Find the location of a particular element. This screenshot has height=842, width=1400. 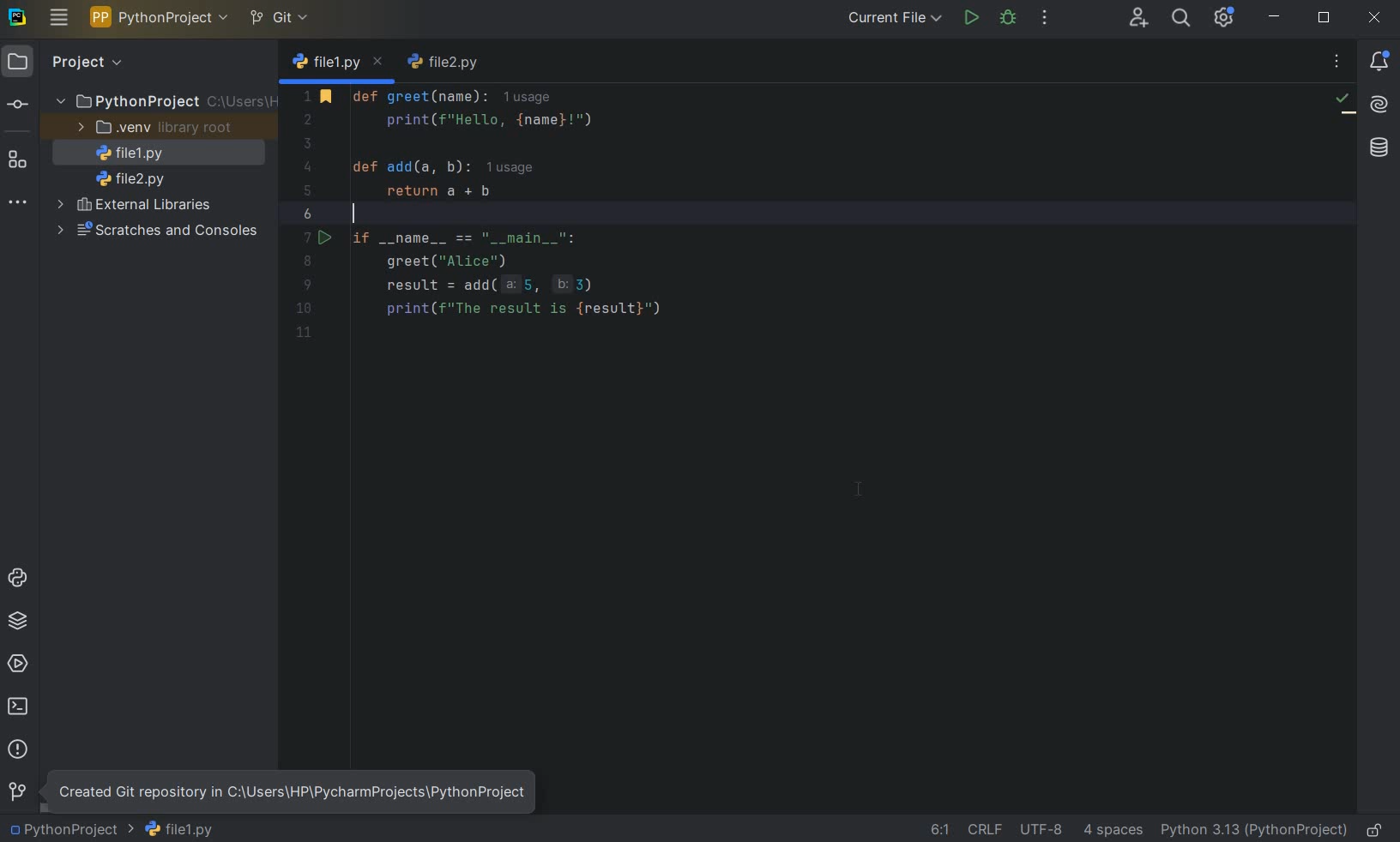

run is located at coordinates (972, 19).